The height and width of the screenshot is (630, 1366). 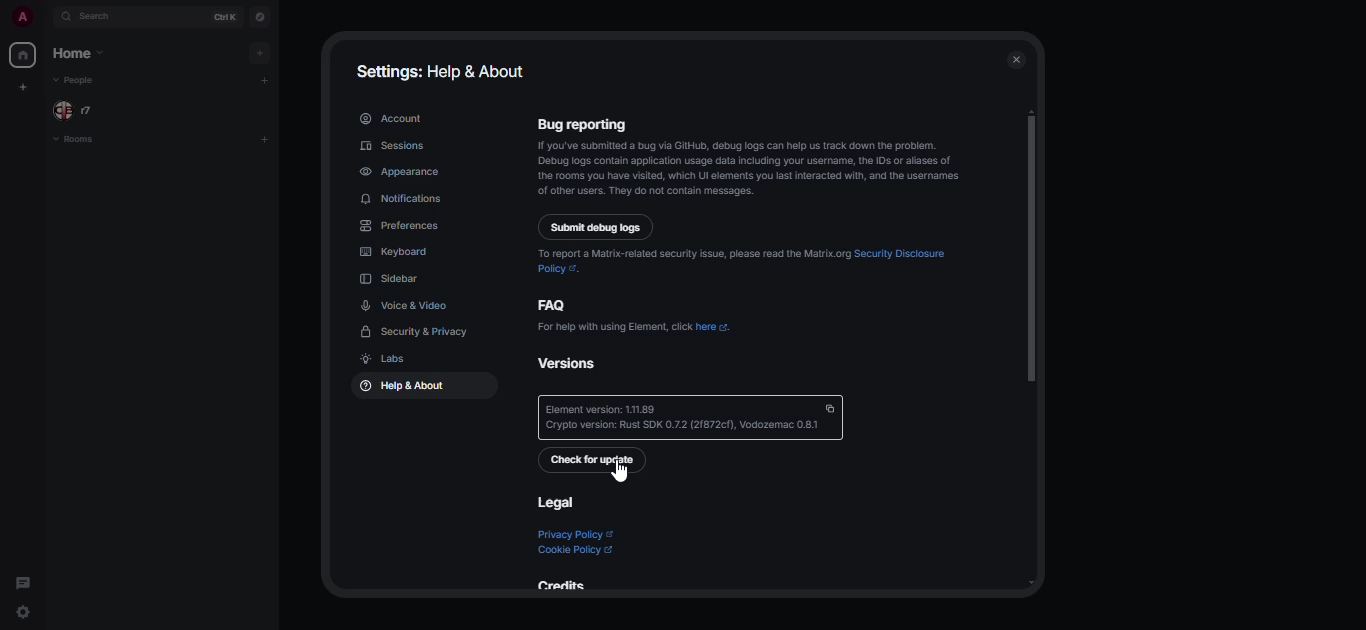 What do you see at coordinates (692, 417) in the screenshot?
I see `element version: 1.11.89 crypto version: rust sdk 0.7.2 (2f872cf), vodozemac 0.8.1` at bounding box center [692, 417].